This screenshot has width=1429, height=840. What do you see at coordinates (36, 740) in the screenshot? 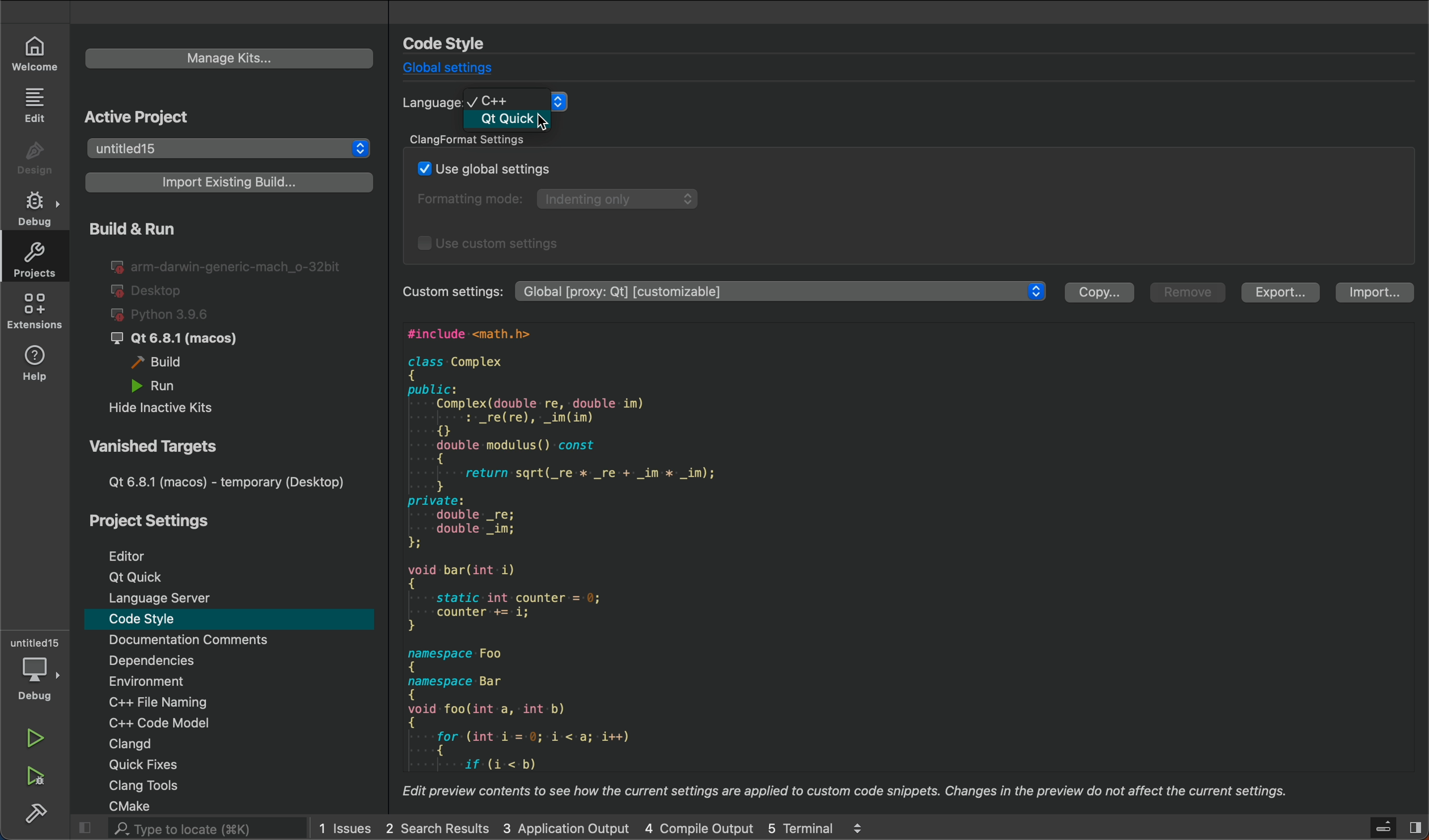
I see `run` at bounding box center [36, 740].